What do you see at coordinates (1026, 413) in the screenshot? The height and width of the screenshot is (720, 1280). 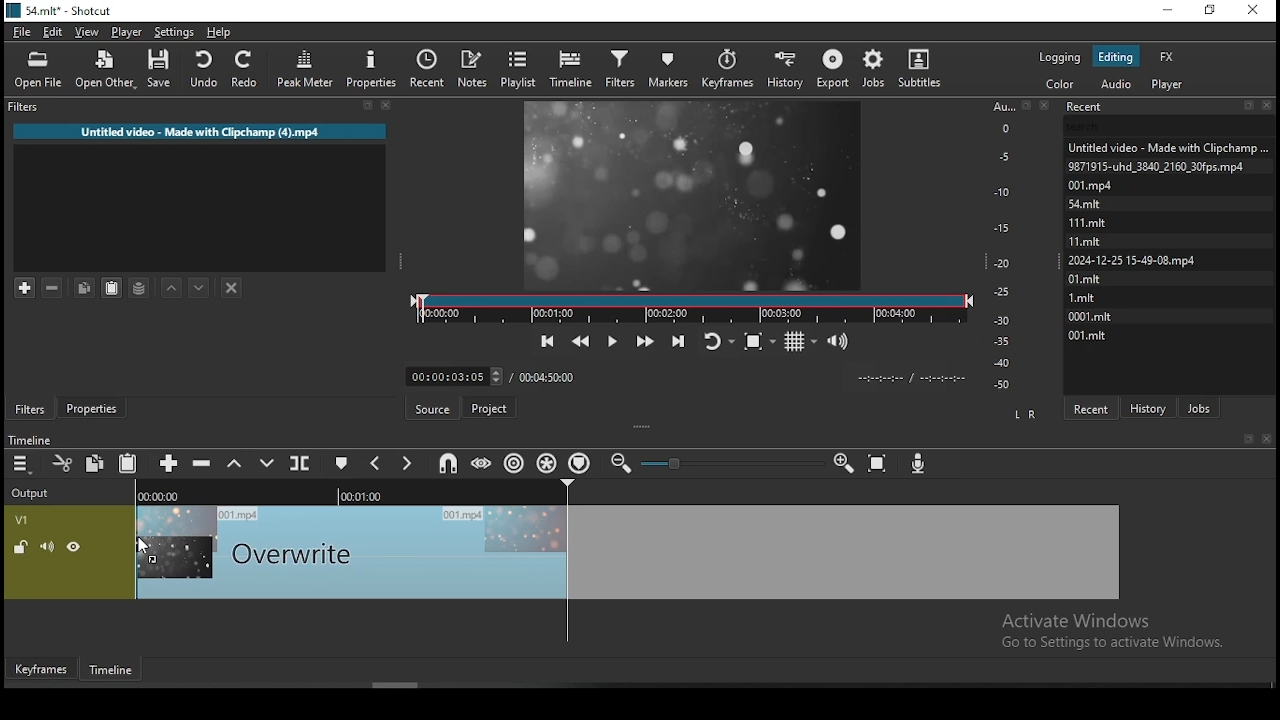 I see `L R` at bounding box center [1026, 413].